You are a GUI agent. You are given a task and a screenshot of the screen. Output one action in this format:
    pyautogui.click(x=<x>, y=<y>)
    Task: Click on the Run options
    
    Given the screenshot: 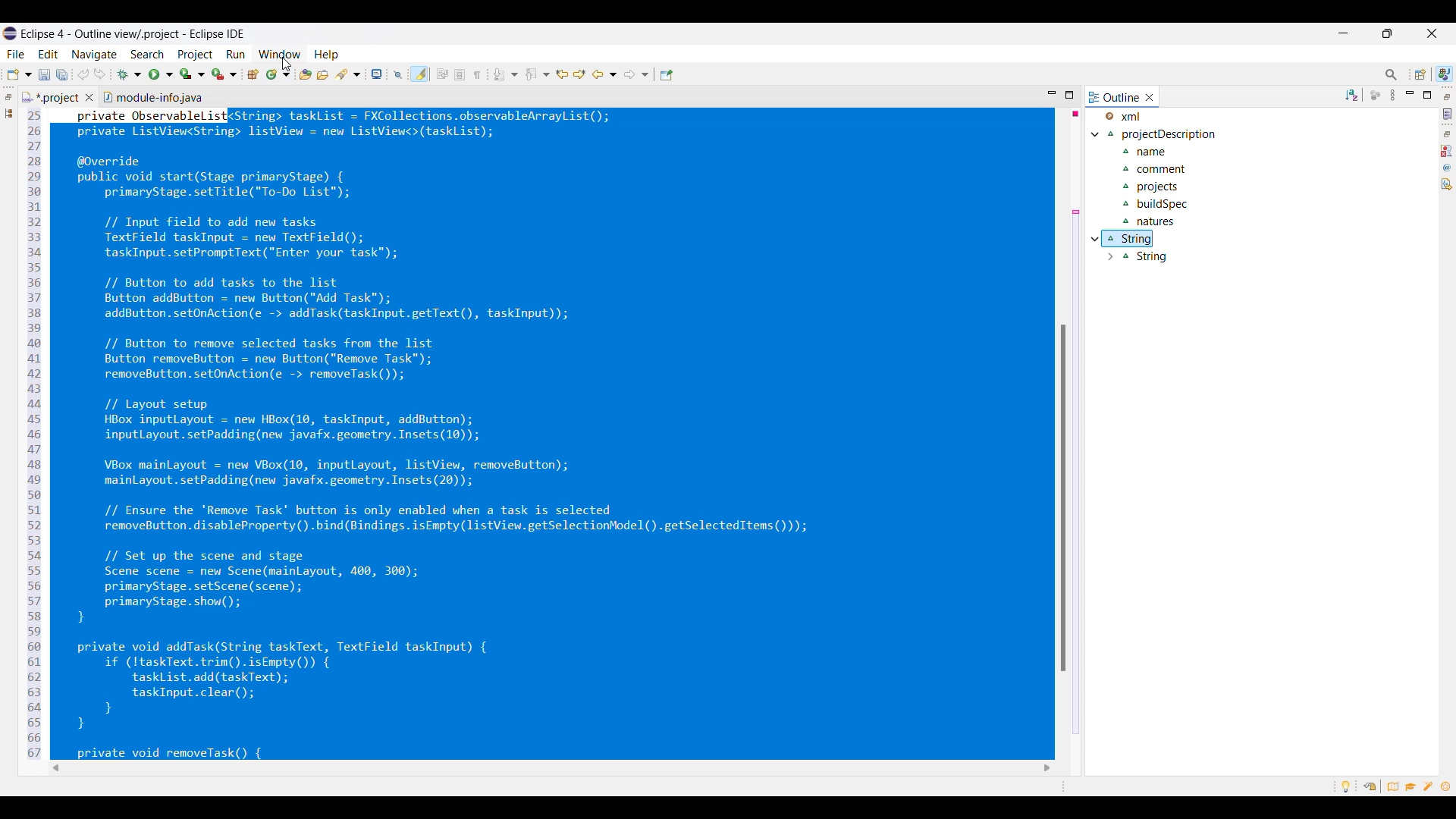 What is the action you would take?
    pyautogui.click(x=162, y=74)
    